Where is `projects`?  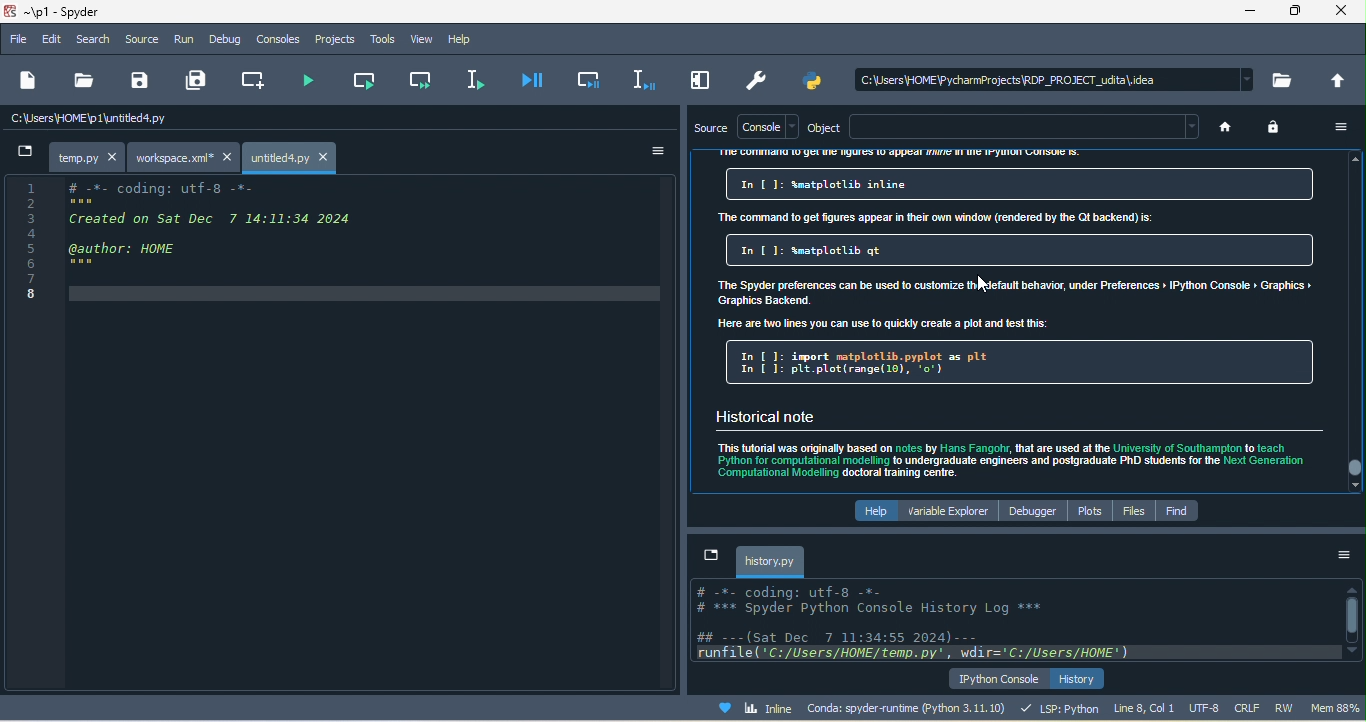
projects is located at coordinates (332, 42).